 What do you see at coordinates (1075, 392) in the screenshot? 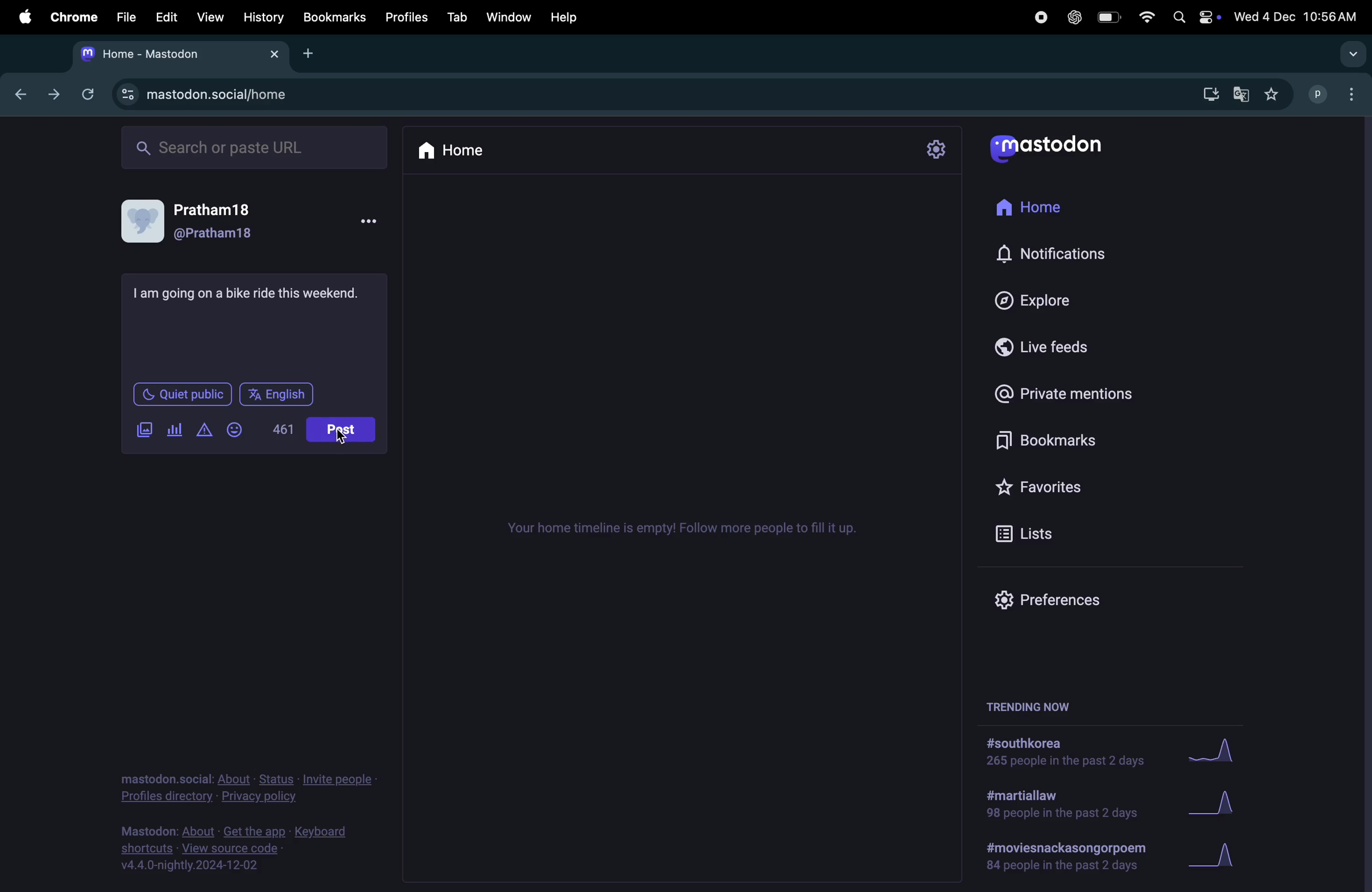
I see `private mentions` at bounding box center [1075, 392].